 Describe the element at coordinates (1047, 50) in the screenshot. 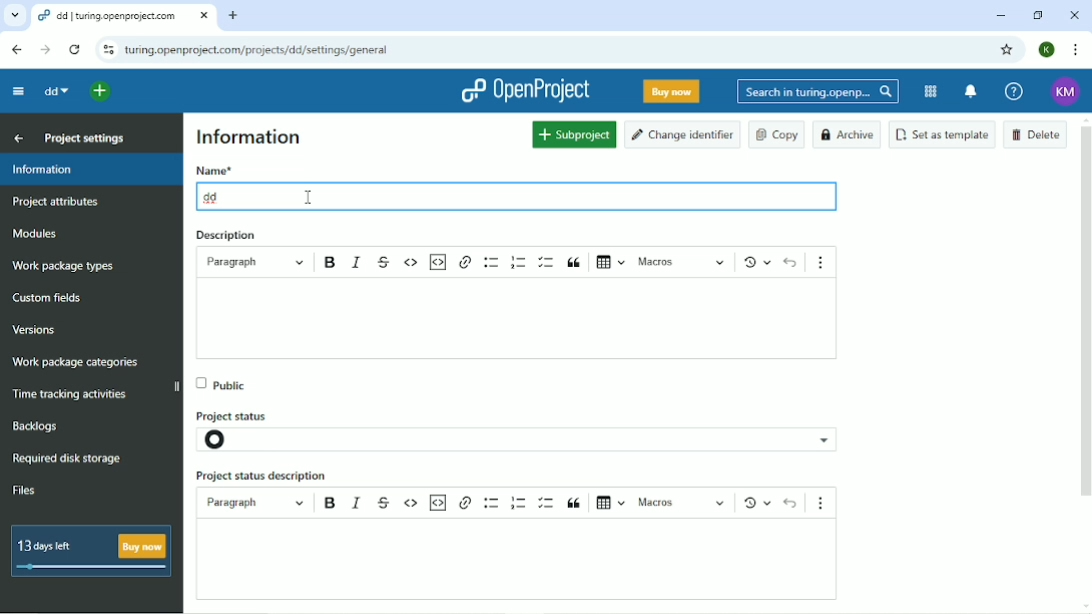

I see `K` at that location.